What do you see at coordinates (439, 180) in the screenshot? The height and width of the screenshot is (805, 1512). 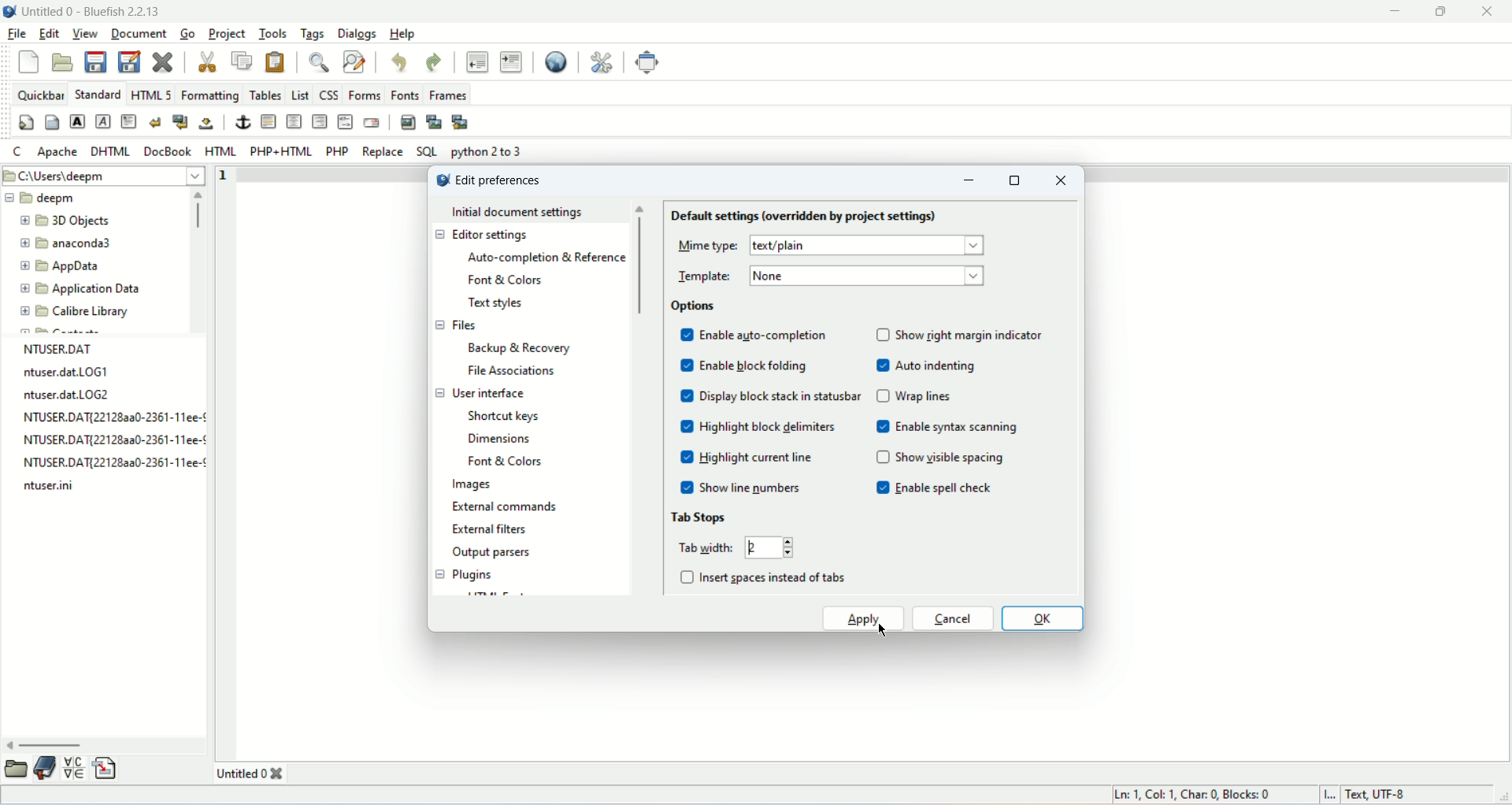 I see `logo` at bounding box center [439, 180].